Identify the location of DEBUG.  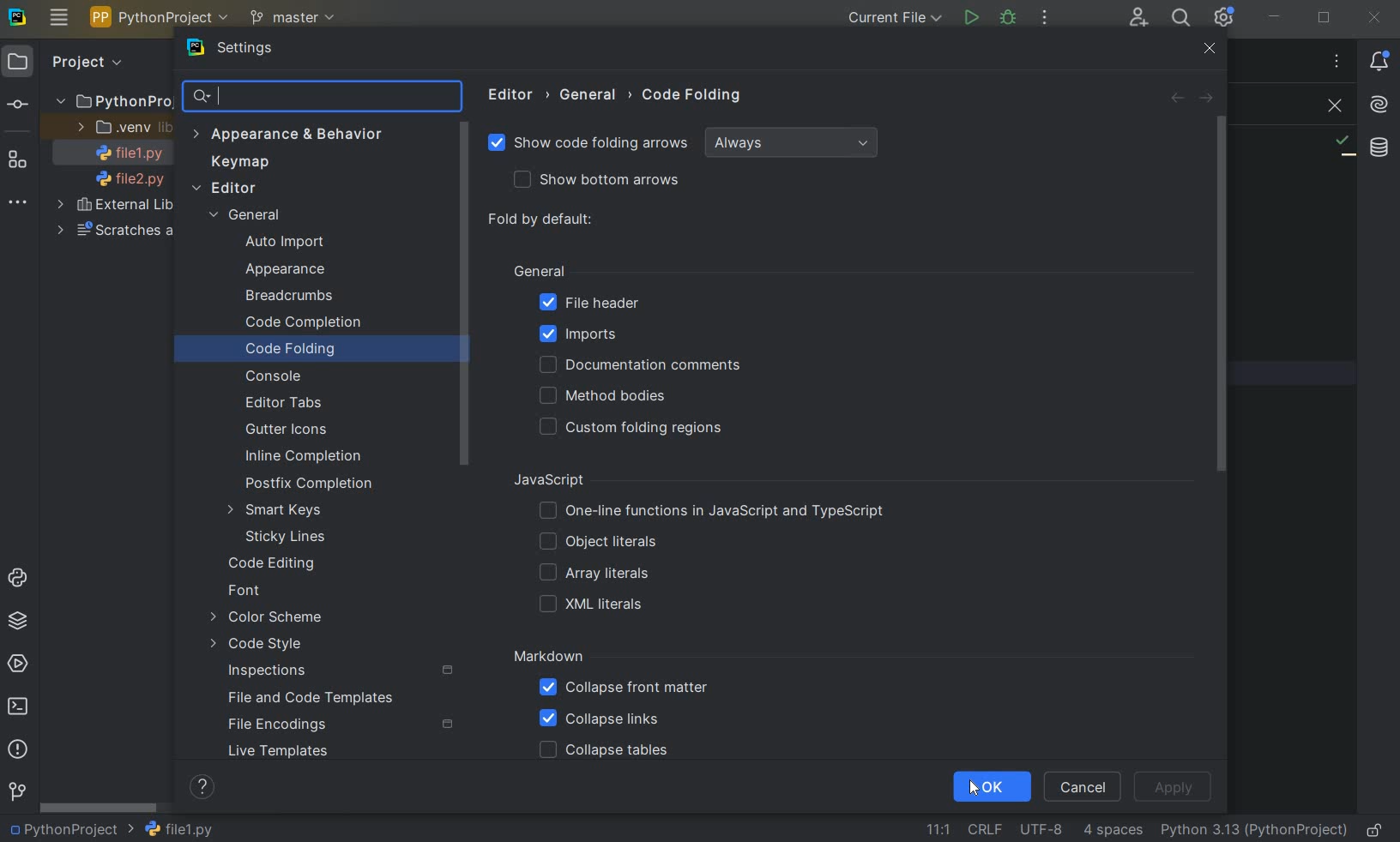
(1010, 19).